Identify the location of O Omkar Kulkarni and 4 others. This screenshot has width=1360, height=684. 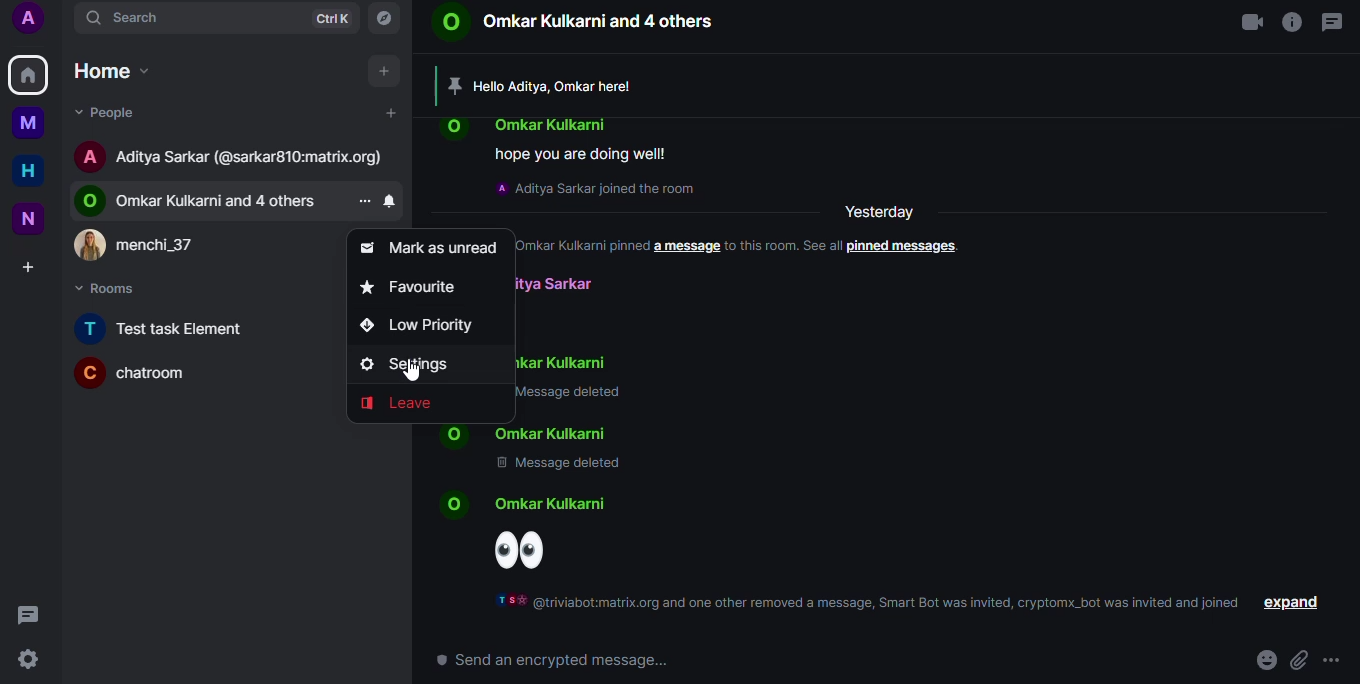
(576, 24).